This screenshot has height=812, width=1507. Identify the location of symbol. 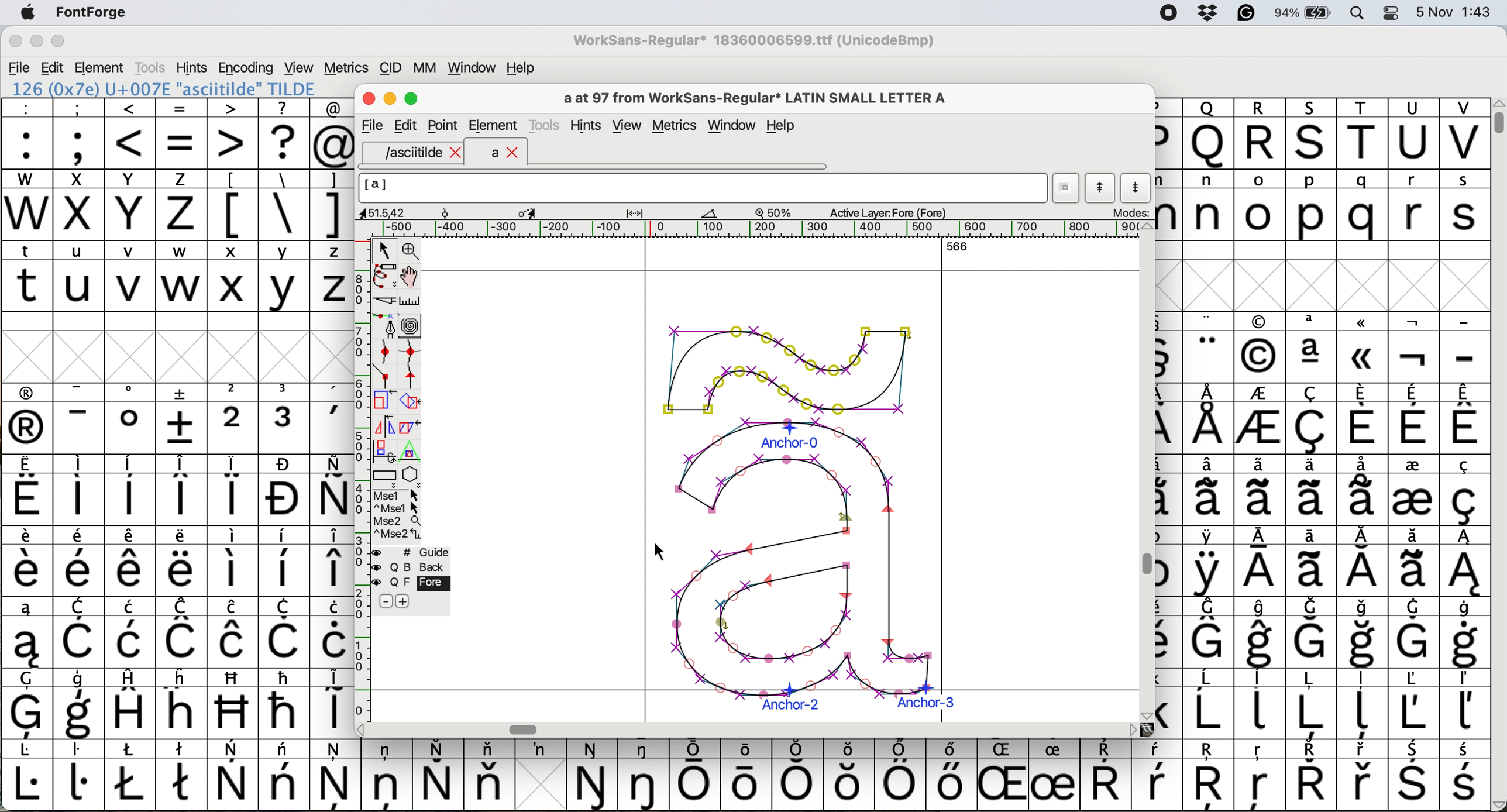
(1261, 421).